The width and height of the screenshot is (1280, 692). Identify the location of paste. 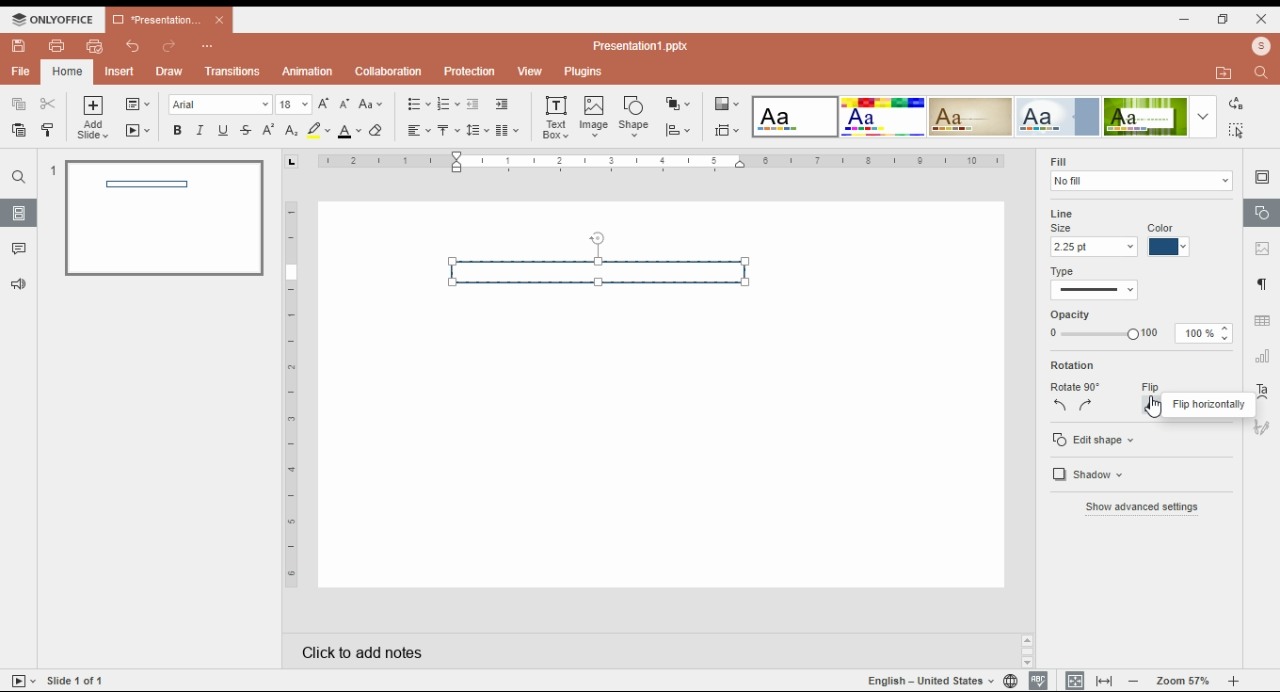
(20, 129).